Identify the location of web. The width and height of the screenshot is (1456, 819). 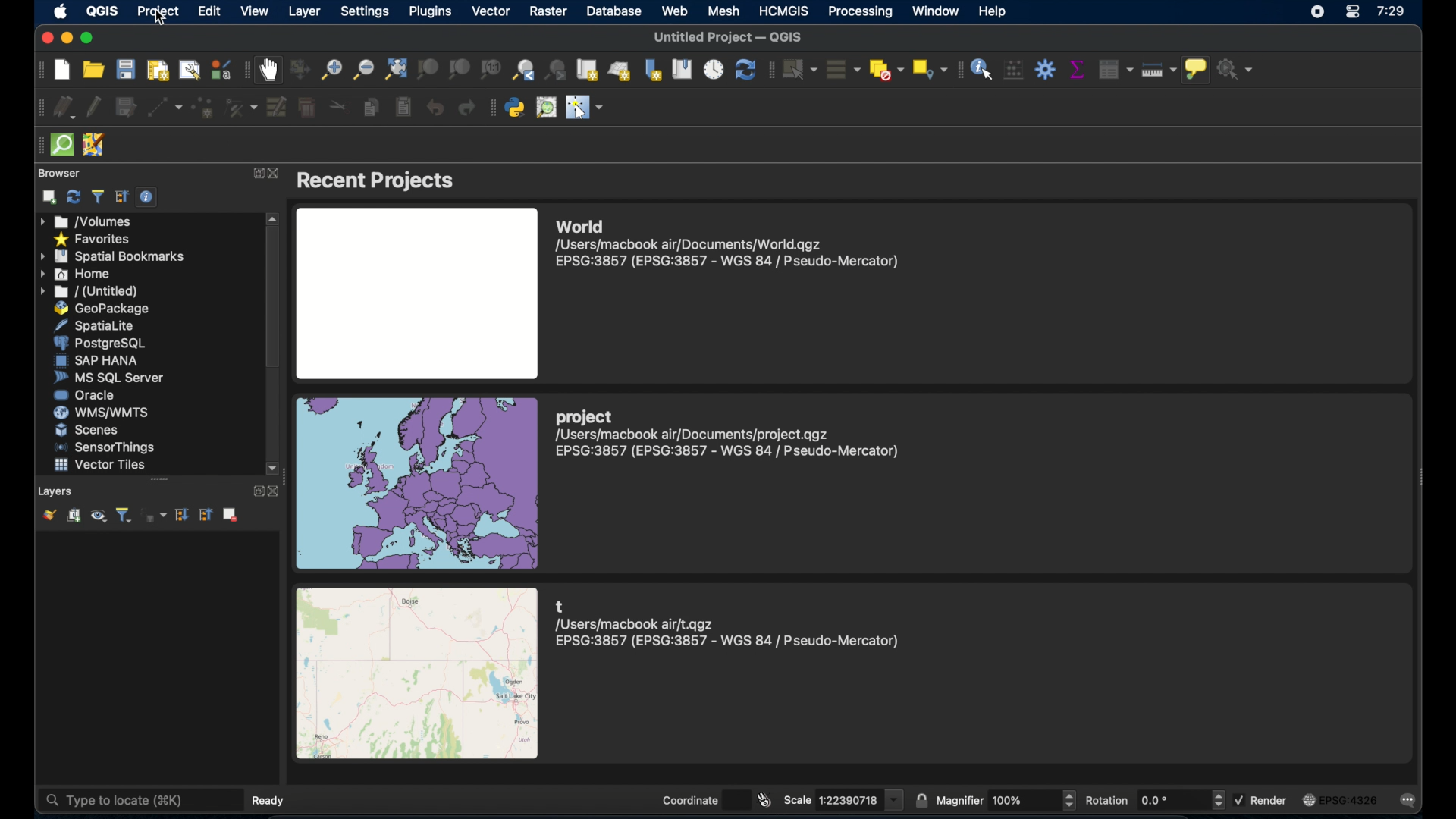
(673, 11).